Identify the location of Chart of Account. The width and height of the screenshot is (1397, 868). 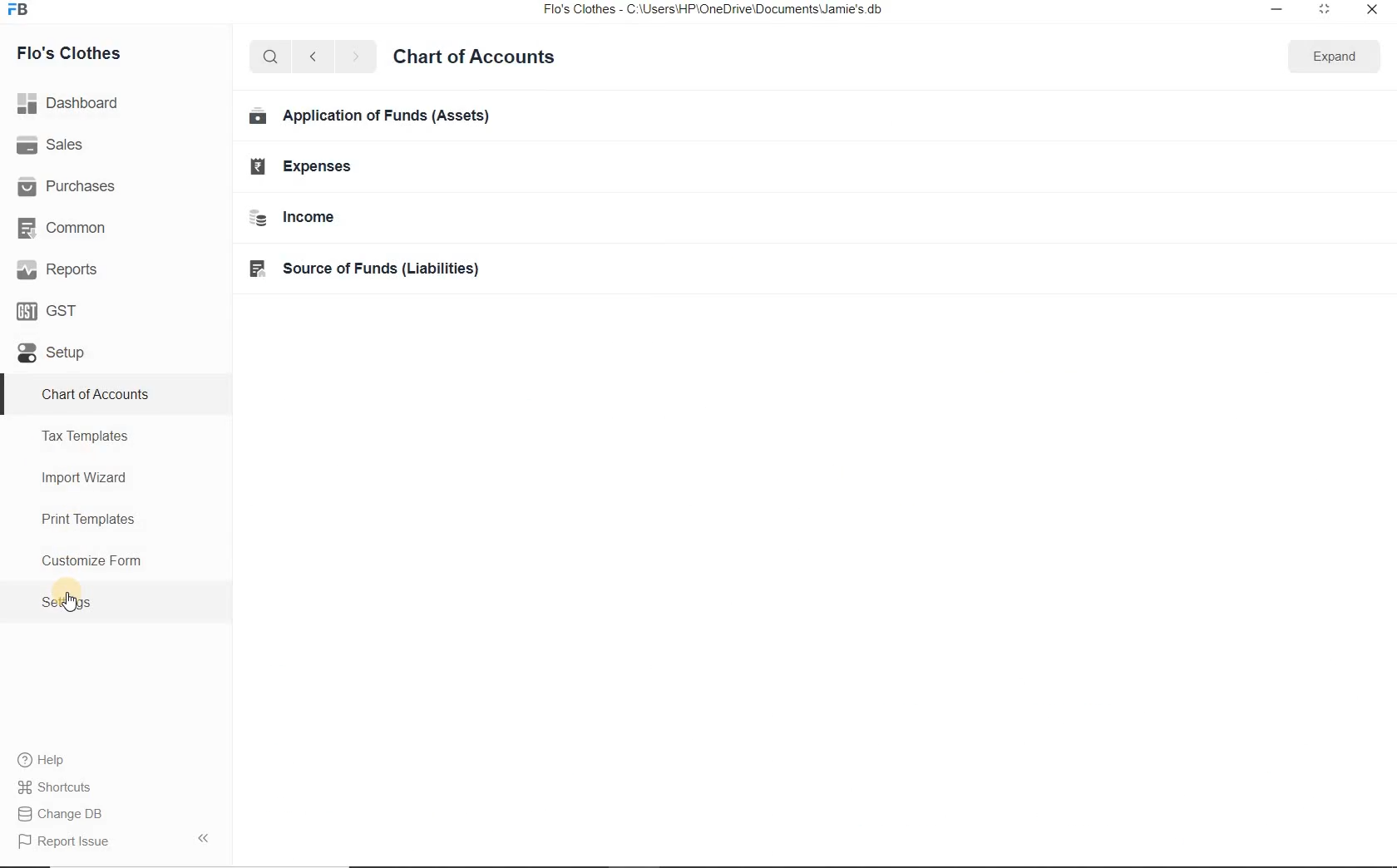
(474, 57).